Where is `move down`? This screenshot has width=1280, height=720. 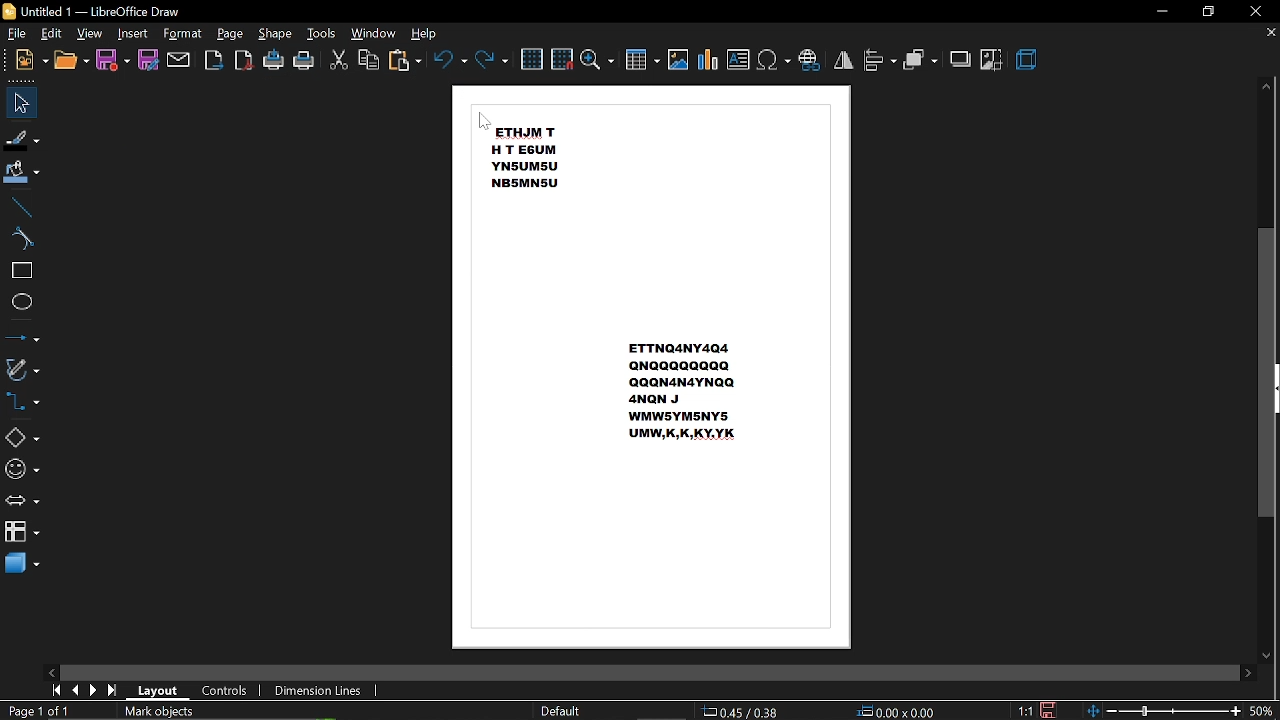 move down is located at coordinates (1265, 655).